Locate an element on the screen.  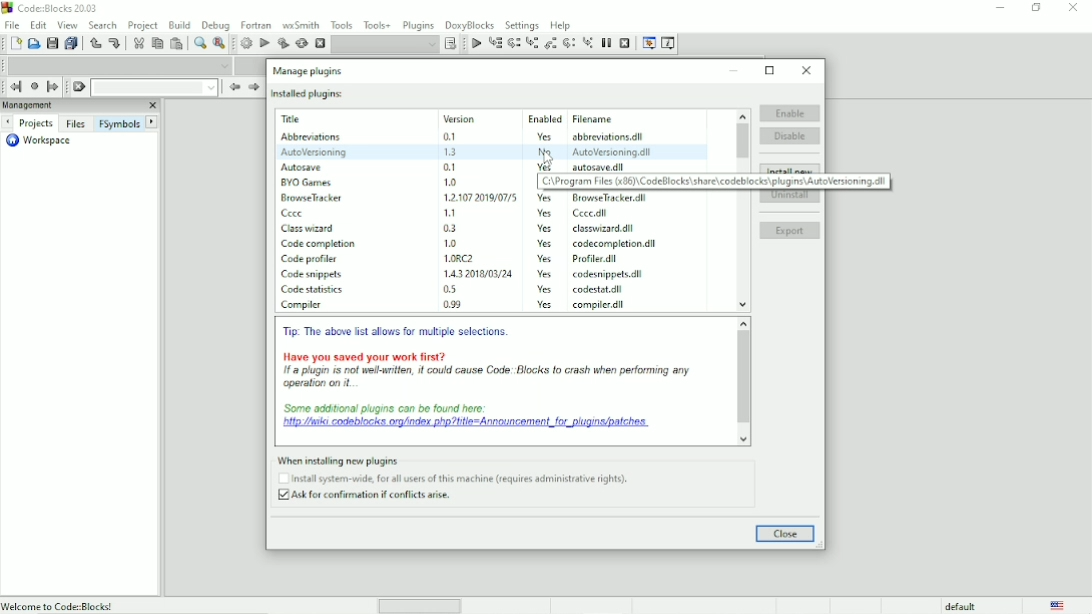
Save everything is located at coordinates (73, 43).